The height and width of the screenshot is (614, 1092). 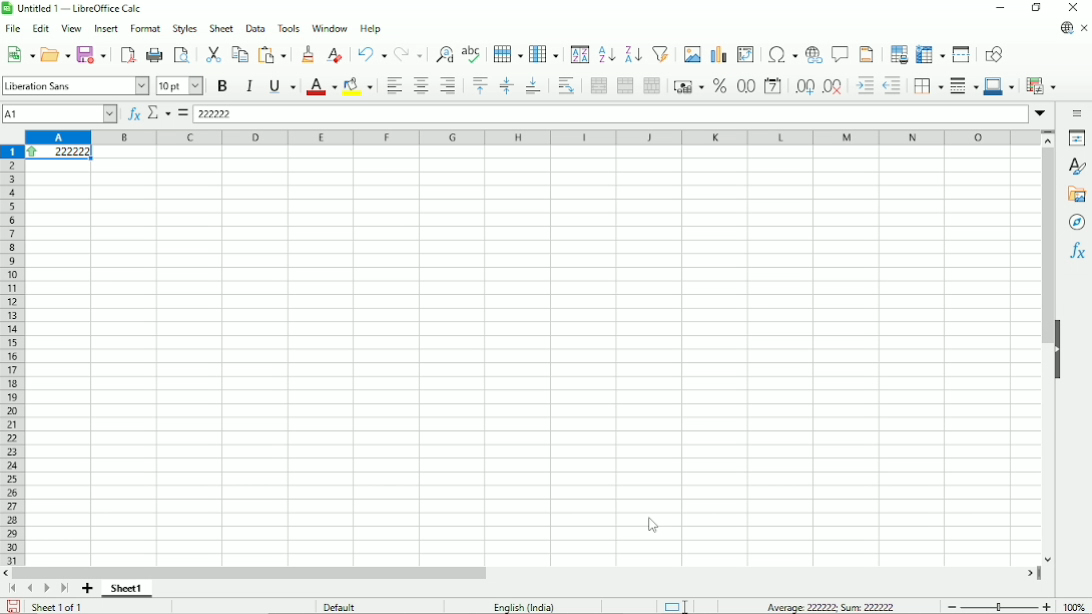 What do you see at coordinates (961, 54) in the screenshot?
I see `Split window` at bounding box center [961, 54].